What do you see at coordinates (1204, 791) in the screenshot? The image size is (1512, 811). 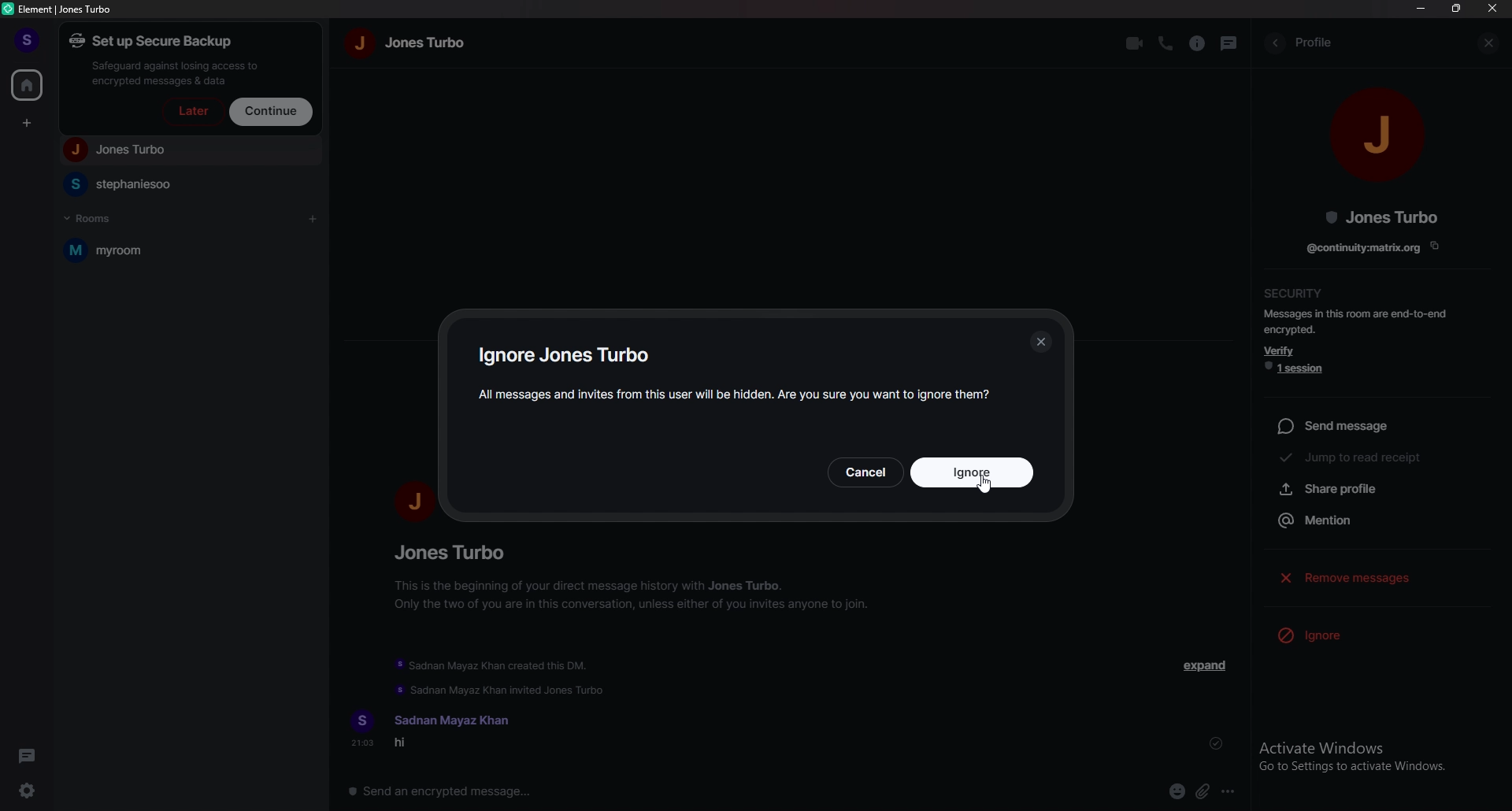 I see `attachment` at bounding box center [1204, 791].